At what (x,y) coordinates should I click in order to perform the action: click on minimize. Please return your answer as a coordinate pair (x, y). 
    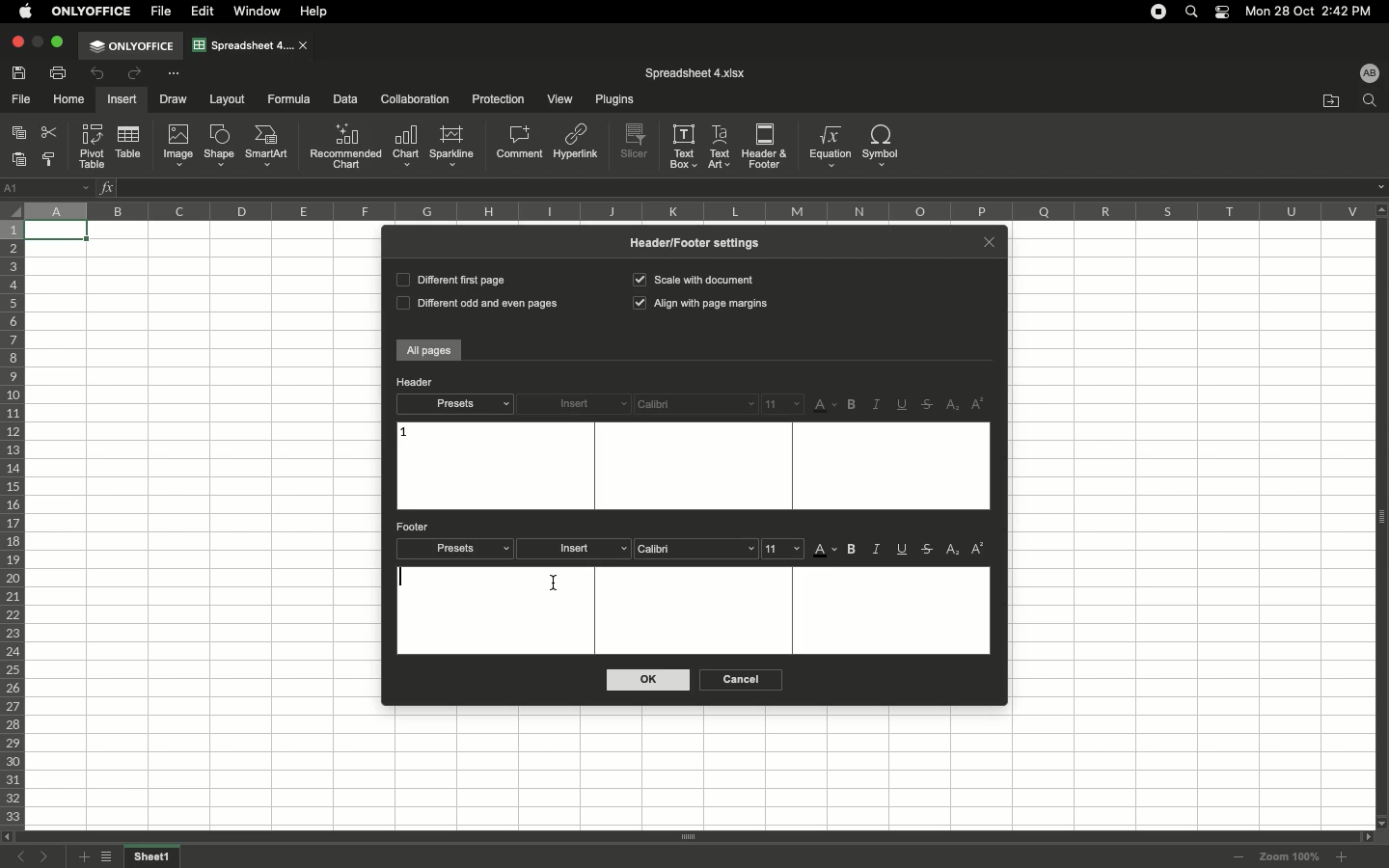
    Looking at the image, I should click on (38, 41).